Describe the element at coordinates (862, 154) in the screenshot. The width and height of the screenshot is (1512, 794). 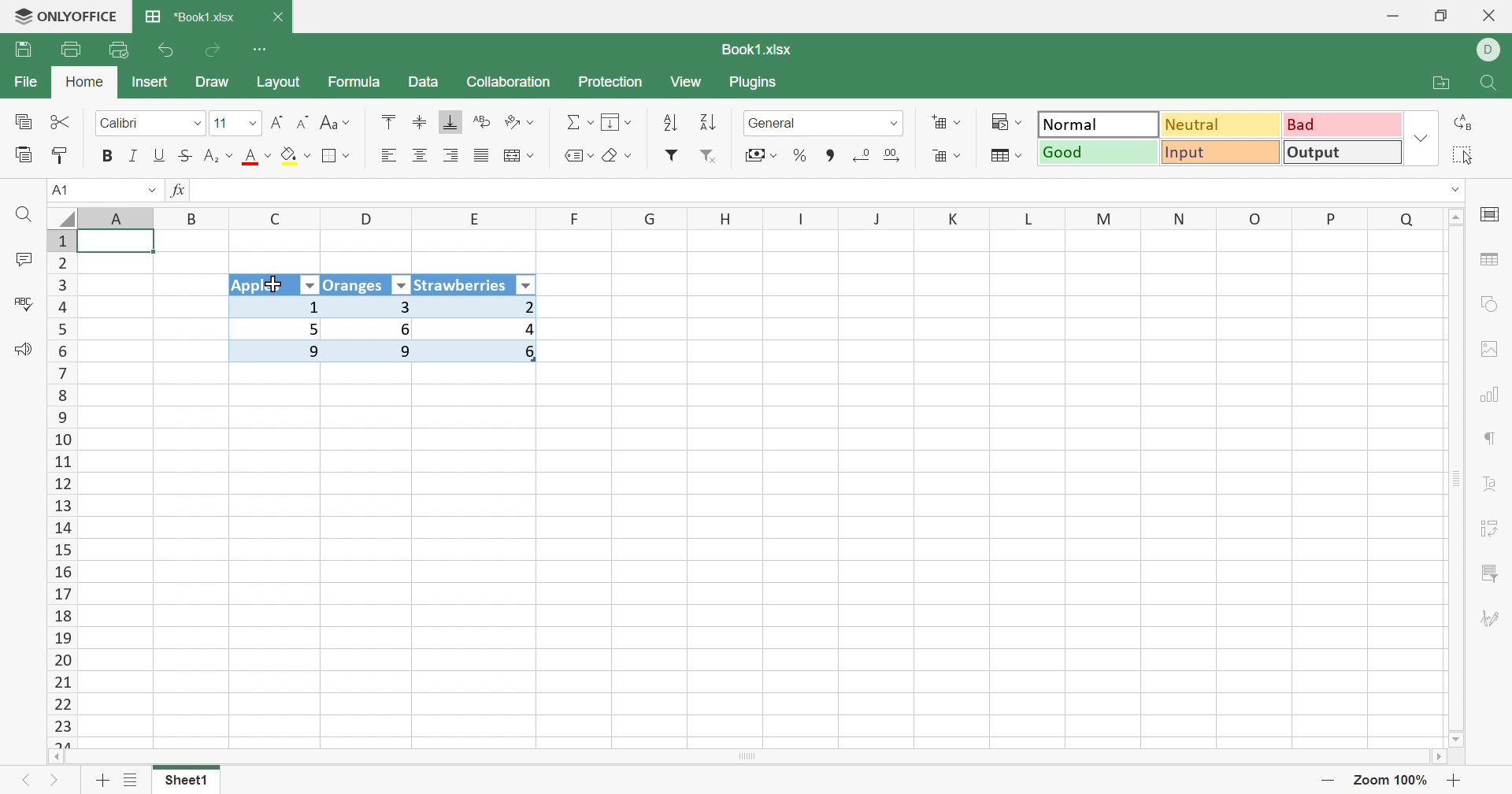
I see `Decrease decimals` at that location.